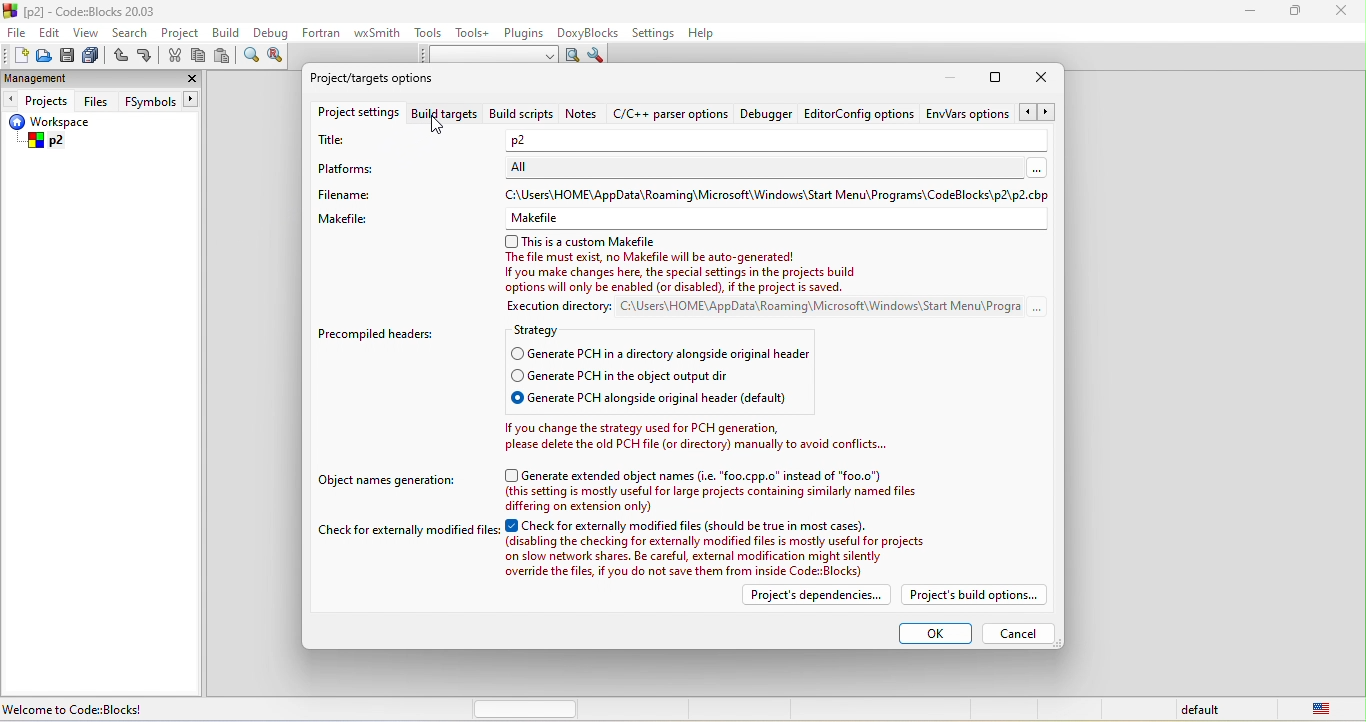 Image resolution: width=1366 pixels, height=722 pixels. I want to click on all, so click(783, 166).